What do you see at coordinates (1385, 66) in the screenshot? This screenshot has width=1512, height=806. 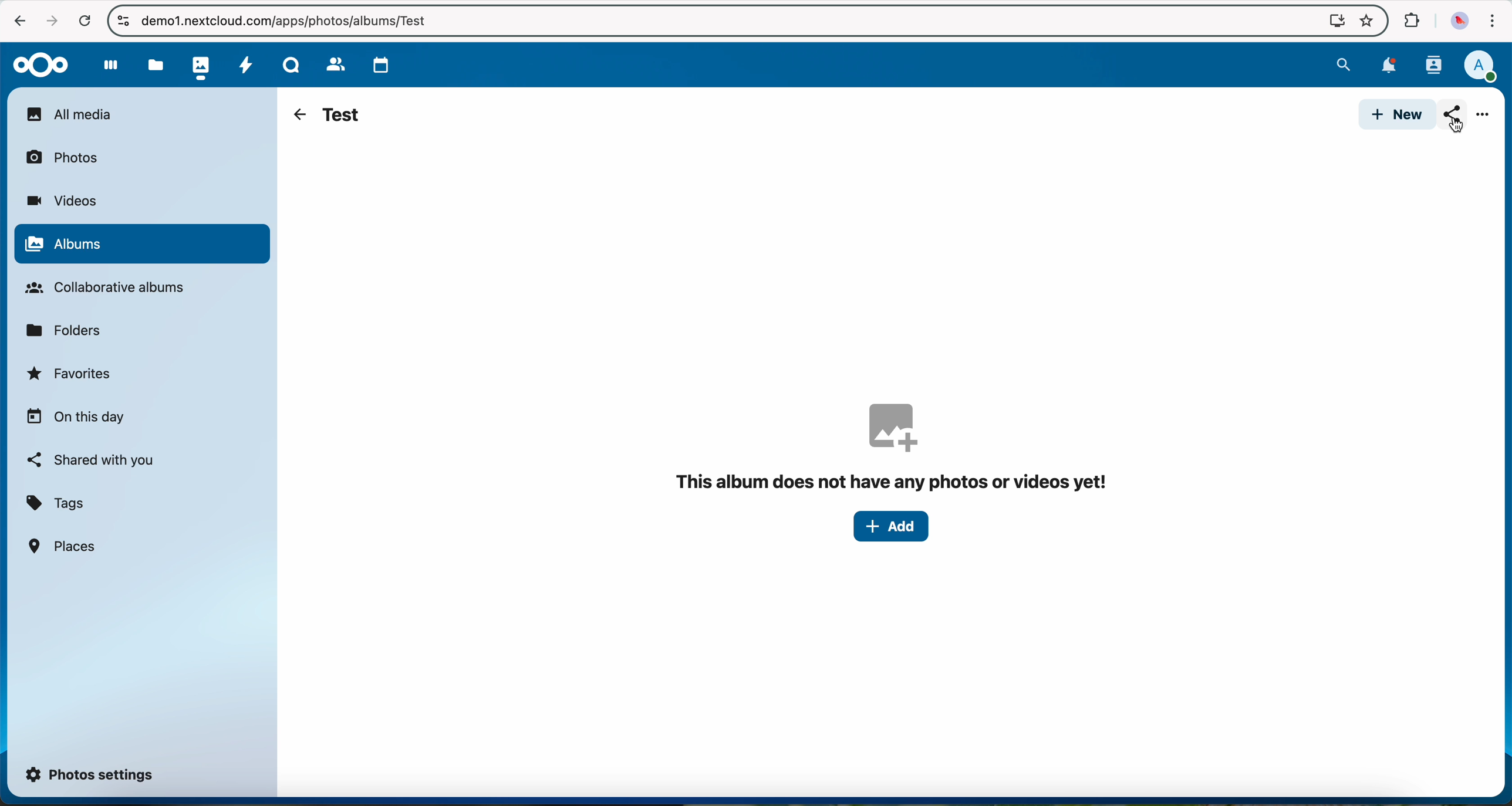 I see `notifications` at bounding box center [1385, 66].